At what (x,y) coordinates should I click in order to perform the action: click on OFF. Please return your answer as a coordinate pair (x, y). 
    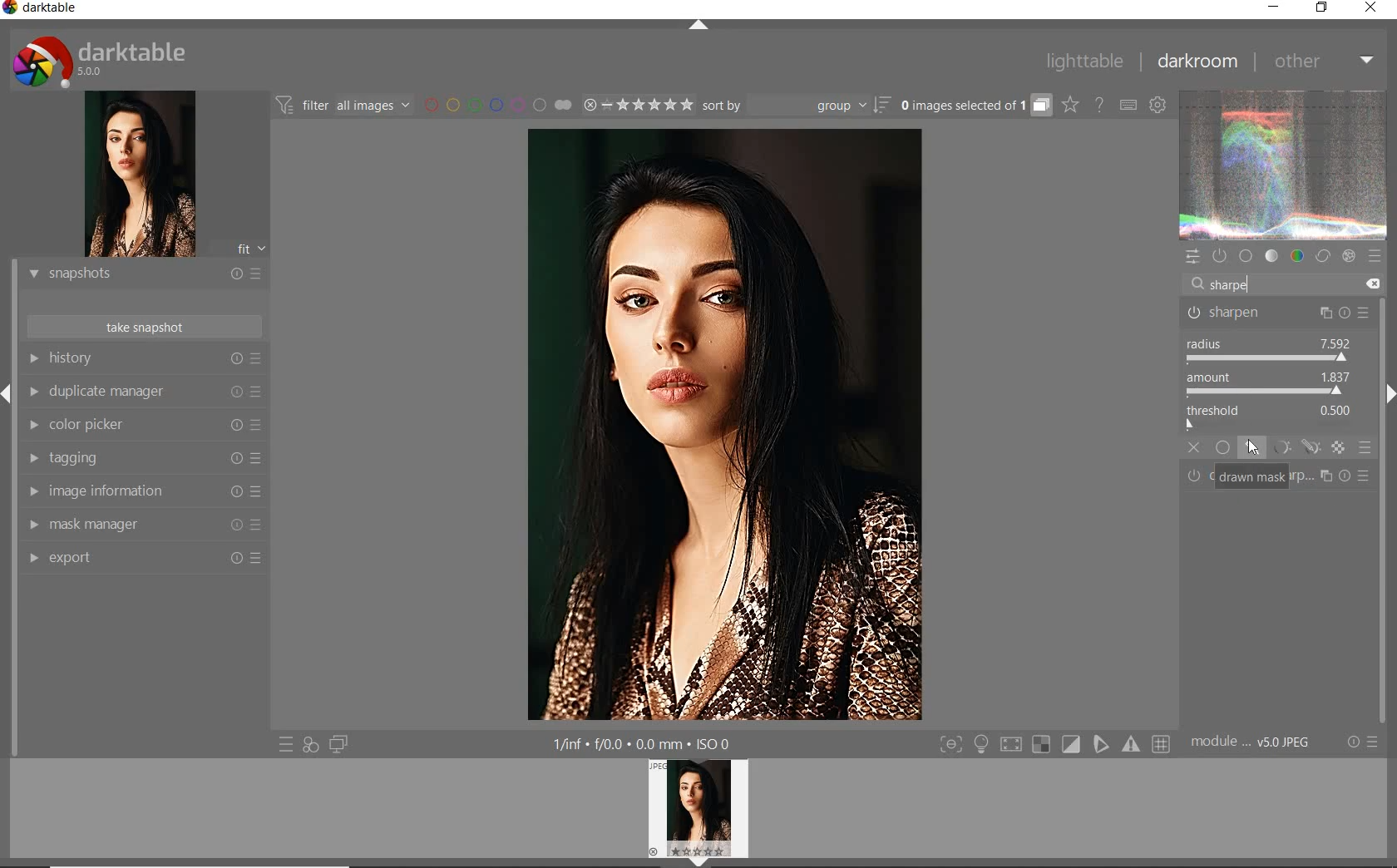
    Looking at the image, I should click on (1195, 447).